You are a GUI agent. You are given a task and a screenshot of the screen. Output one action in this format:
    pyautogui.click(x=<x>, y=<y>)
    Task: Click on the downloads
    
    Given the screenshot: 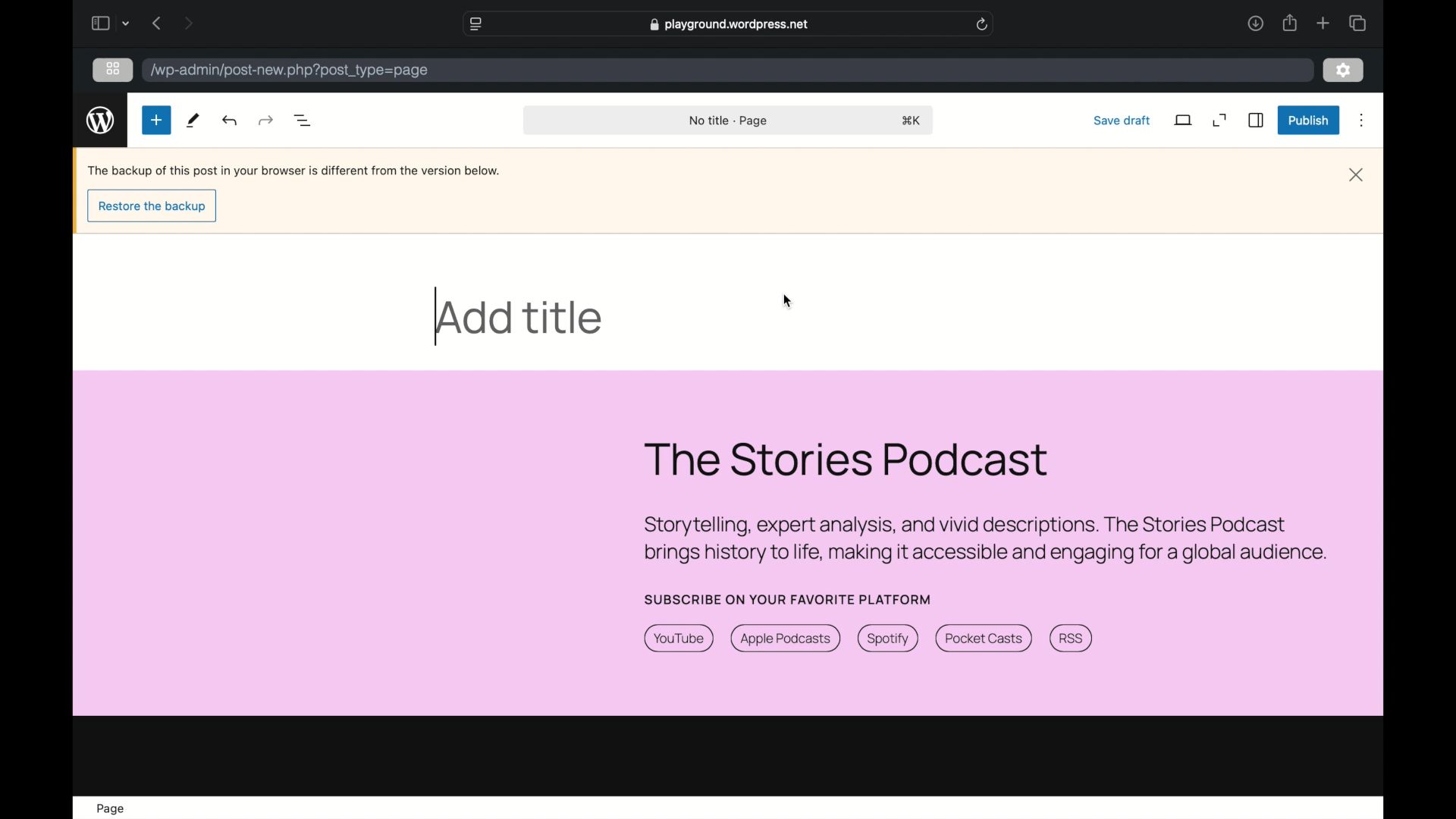 What is the action you would take?
    pyautogui.click(x=1255, y=23)
    